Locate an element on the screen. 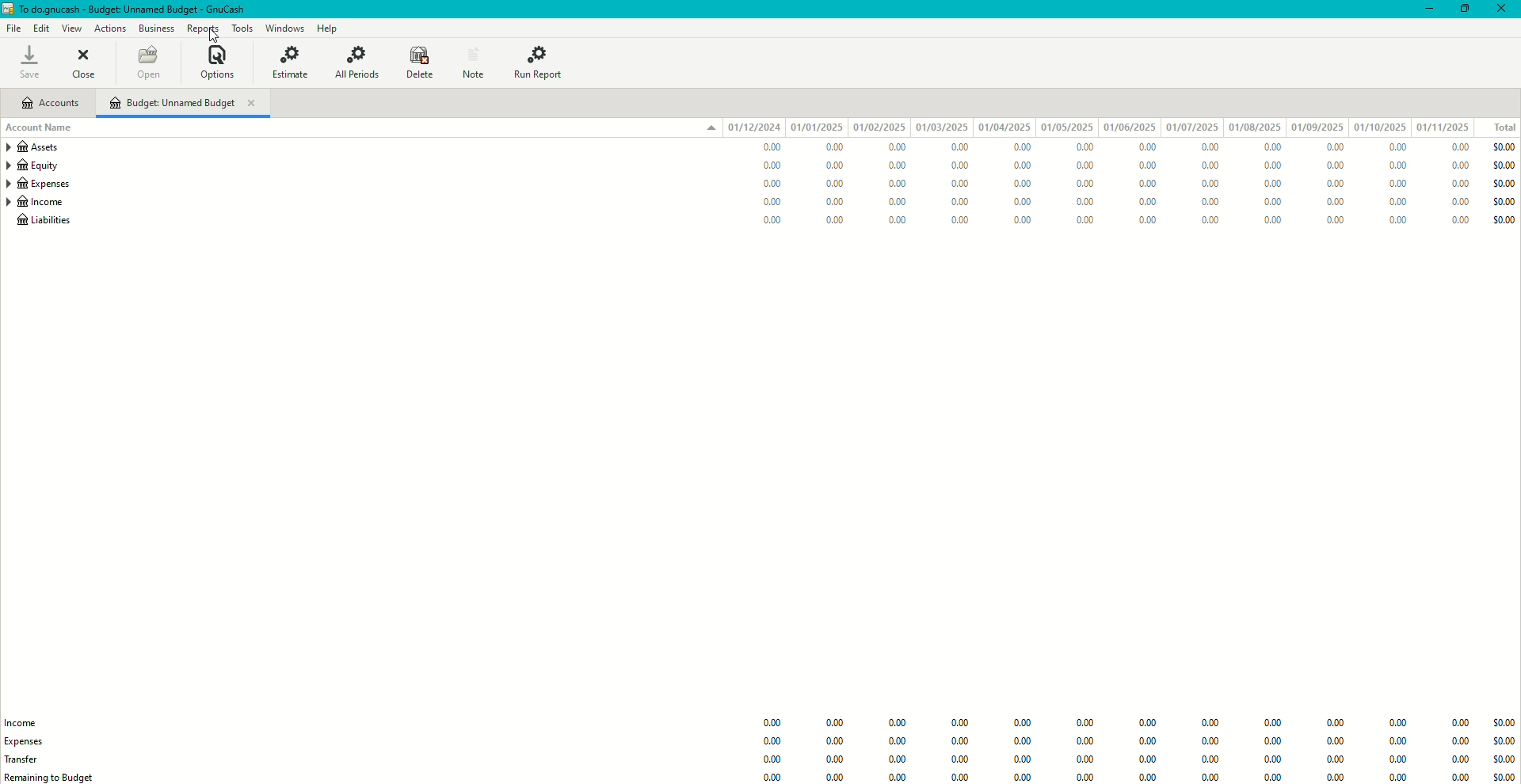  $0.00 is located at coordinates (1502, 776).